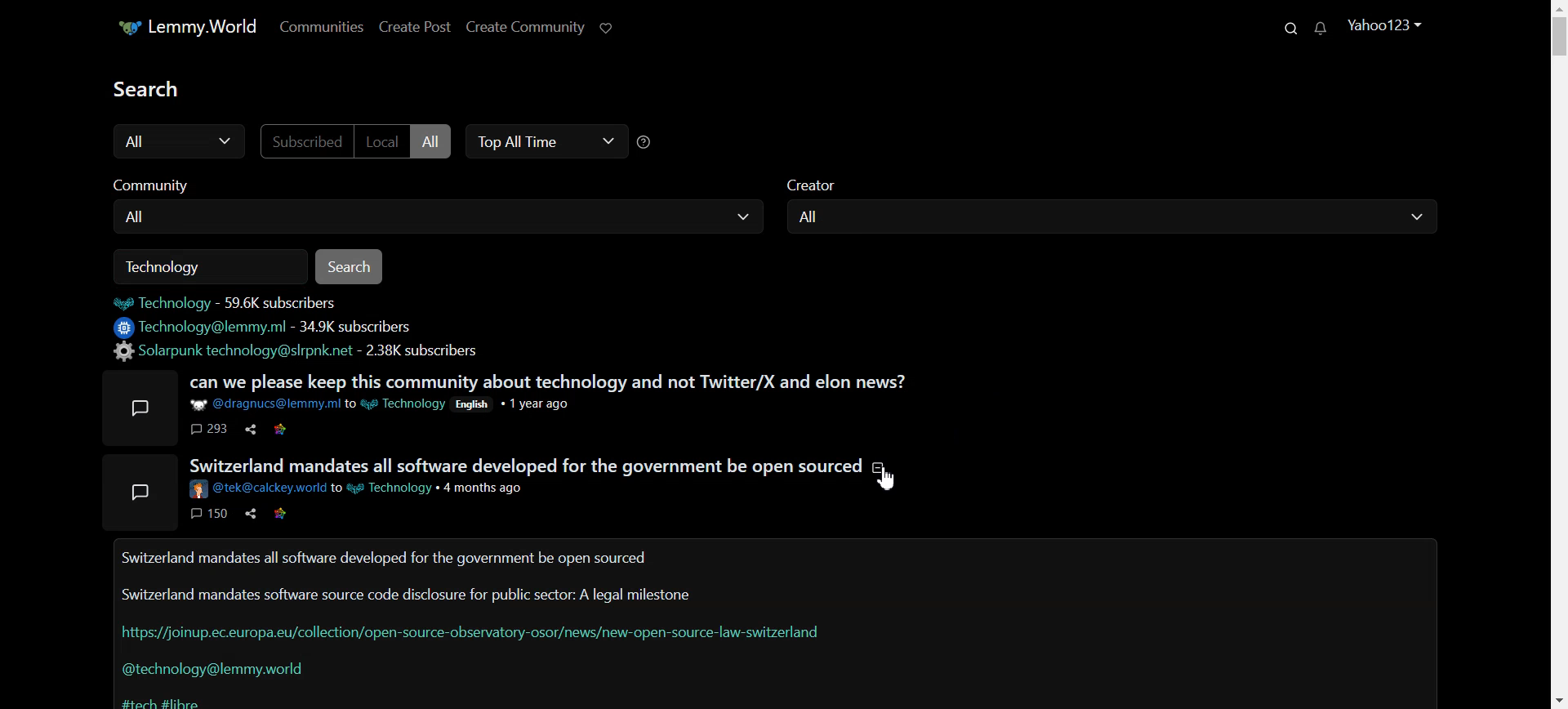 The height and width of the screenshot is (709, 1568). I want to click on Subscribed, so click(308, 141).